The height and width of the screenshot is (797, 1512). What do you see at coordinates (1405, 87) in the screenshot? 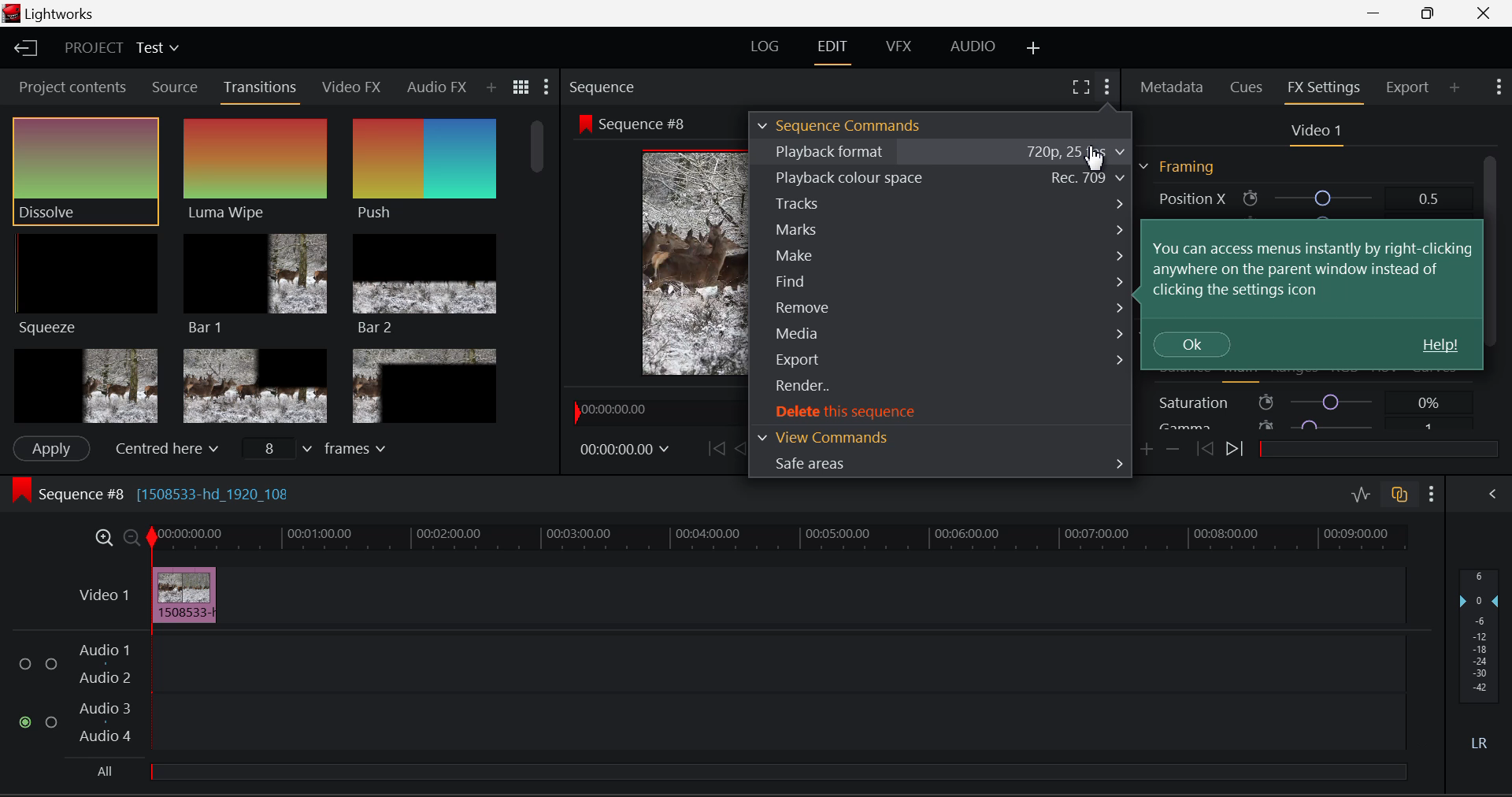
I see `Export` at bounding box center [1405, 87].